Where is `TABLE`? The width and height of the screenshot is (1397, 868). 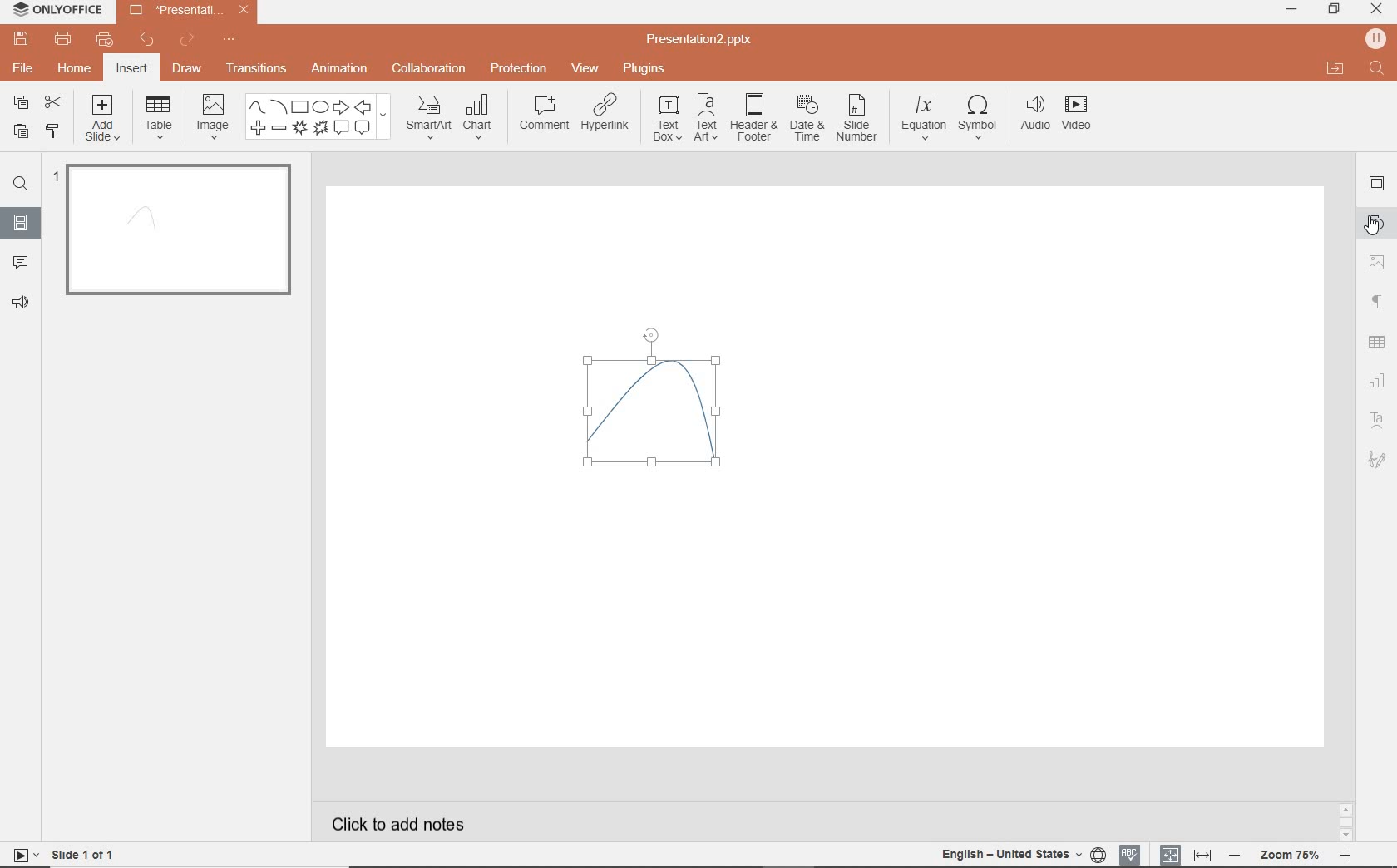 TABLE is located at coordinates (159, 119).